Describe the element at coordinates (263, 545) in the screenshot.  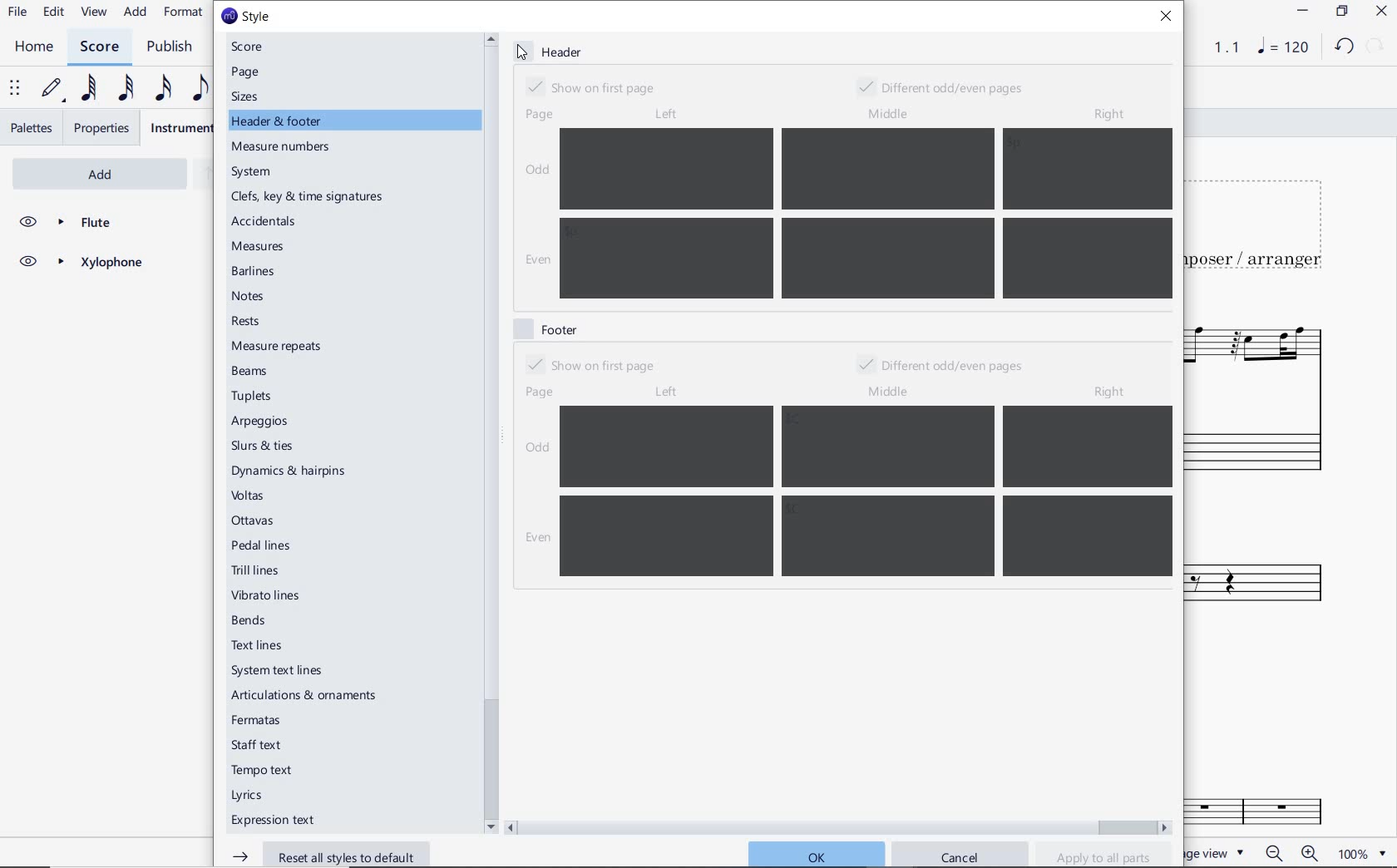
I see `pedal lines` at that location.